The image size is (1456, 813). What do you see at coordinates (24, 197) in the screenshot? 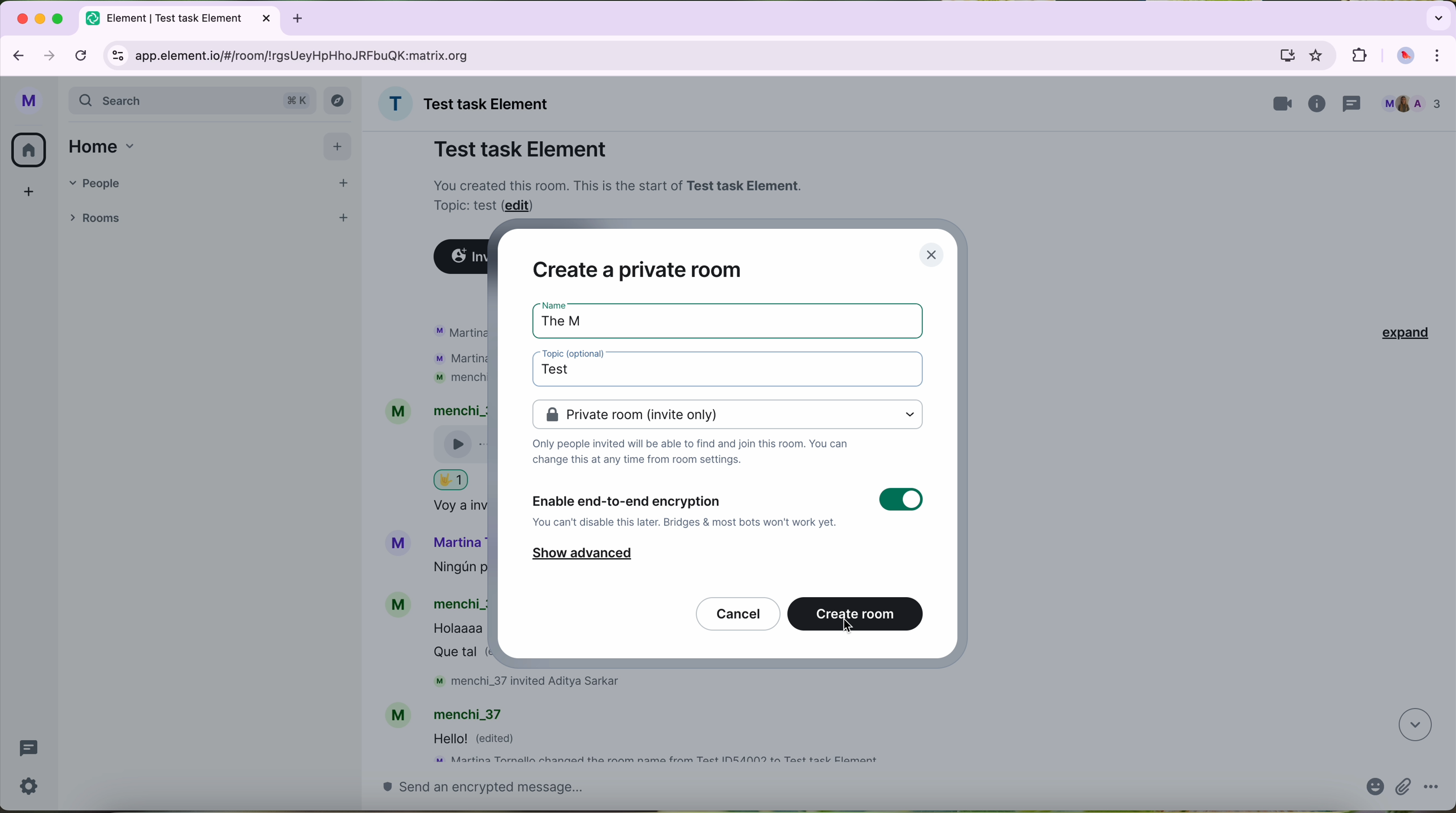
I see `add` at bounding box center [24, 197].